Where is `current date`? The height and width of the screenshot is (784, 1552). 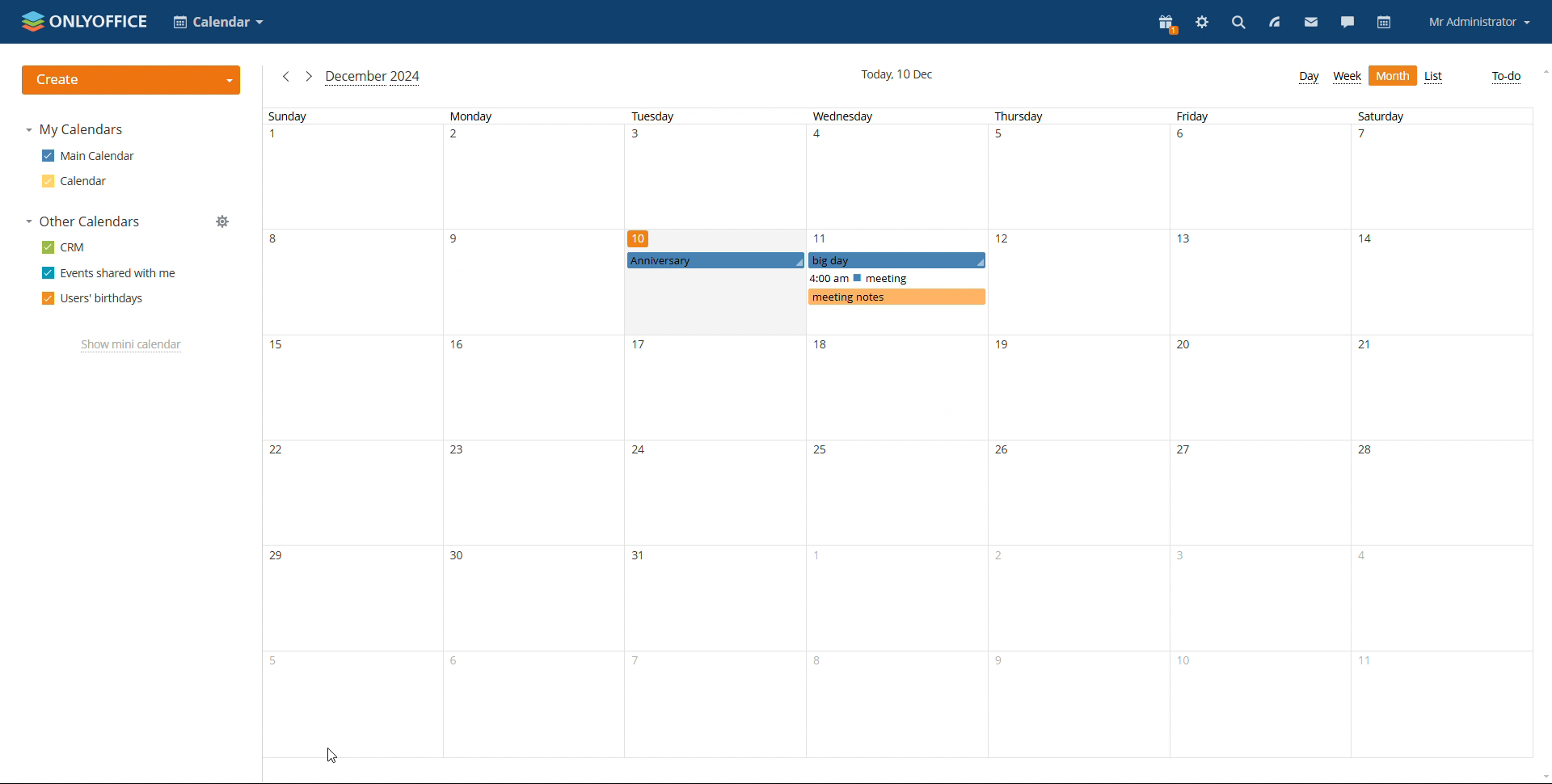 current date is located at coordinates (897, 74).